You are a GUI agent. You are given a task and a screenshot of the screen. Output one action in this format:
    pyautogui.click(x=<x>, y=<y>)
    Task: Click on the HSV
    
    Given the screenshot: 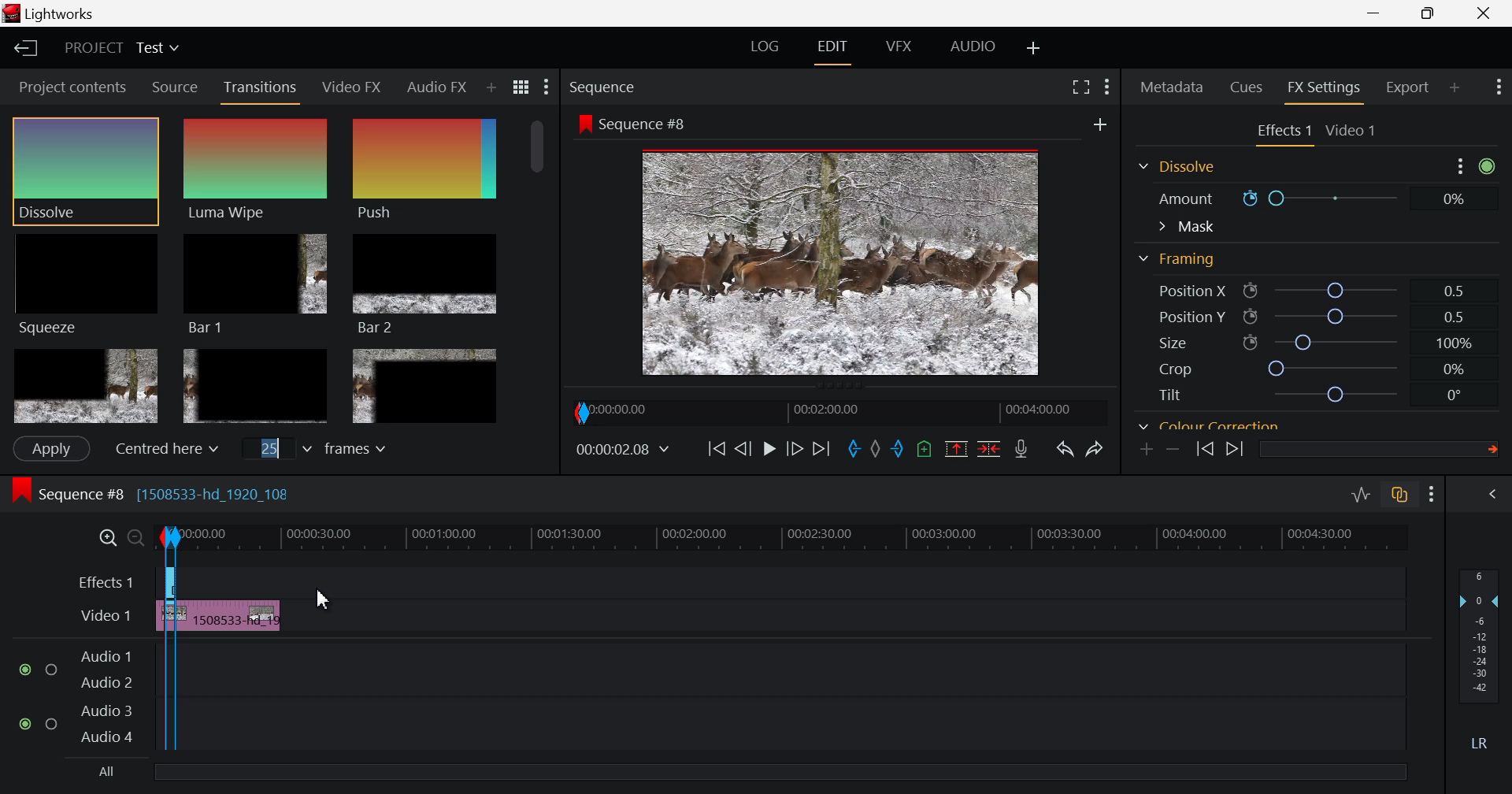 What is the action you would take?
    pyautogui.click(x=1385, y=368)
    